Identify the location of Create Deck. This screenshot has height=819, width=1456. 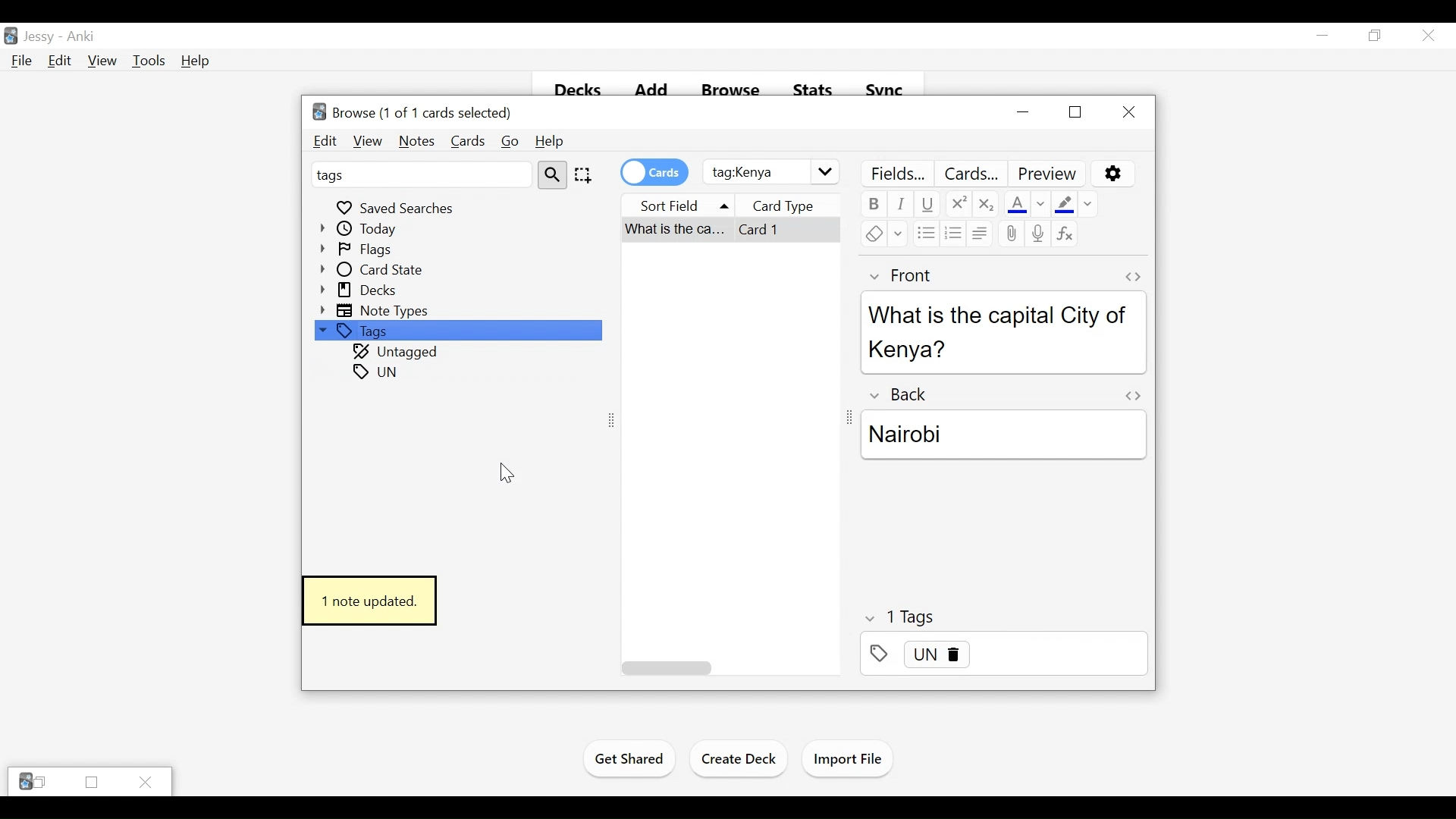
(740, 758).